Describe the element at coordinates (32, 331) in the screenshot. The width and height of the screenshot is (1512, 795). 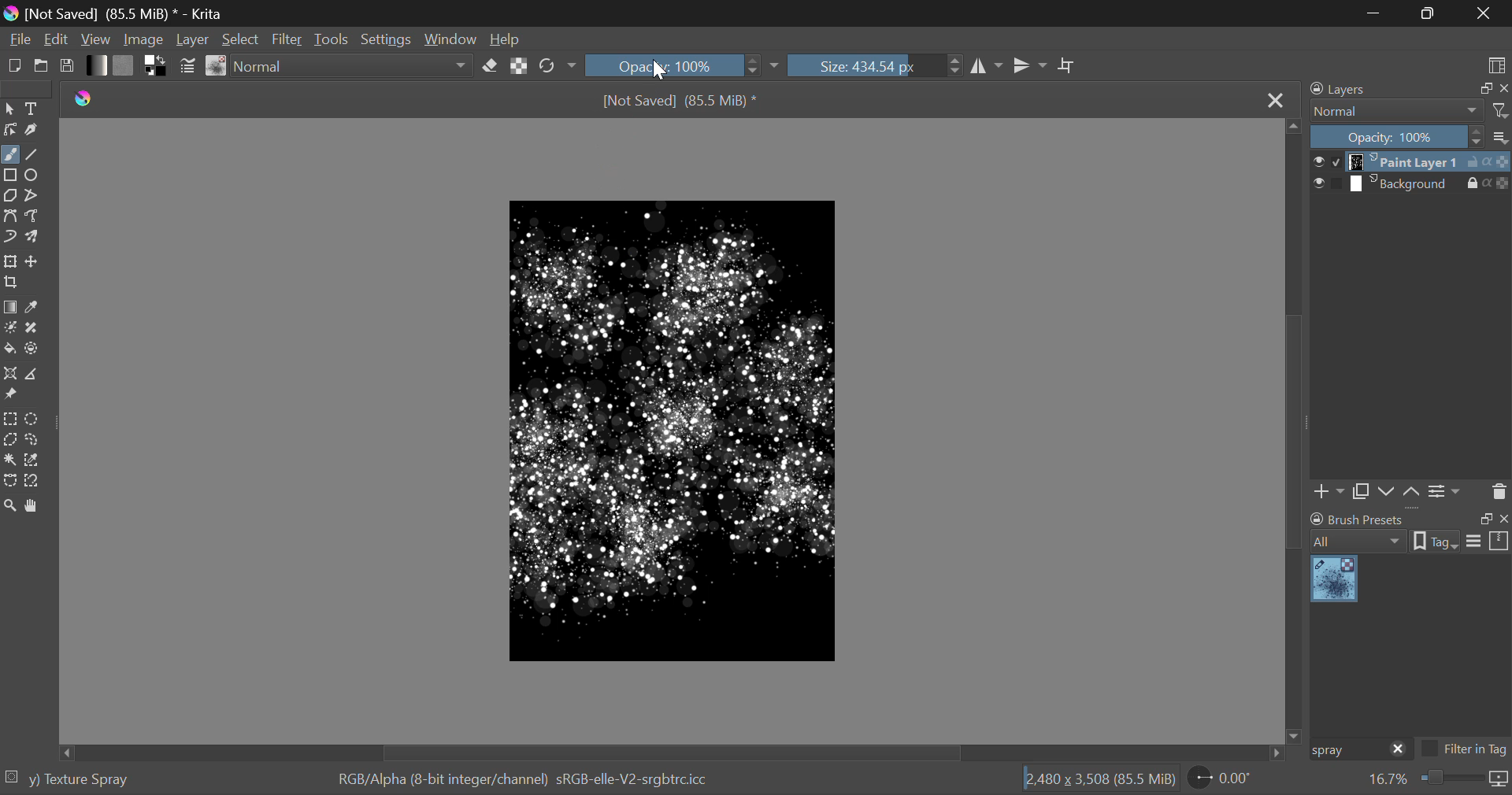
I see `Smart Patch Tool` at that location.